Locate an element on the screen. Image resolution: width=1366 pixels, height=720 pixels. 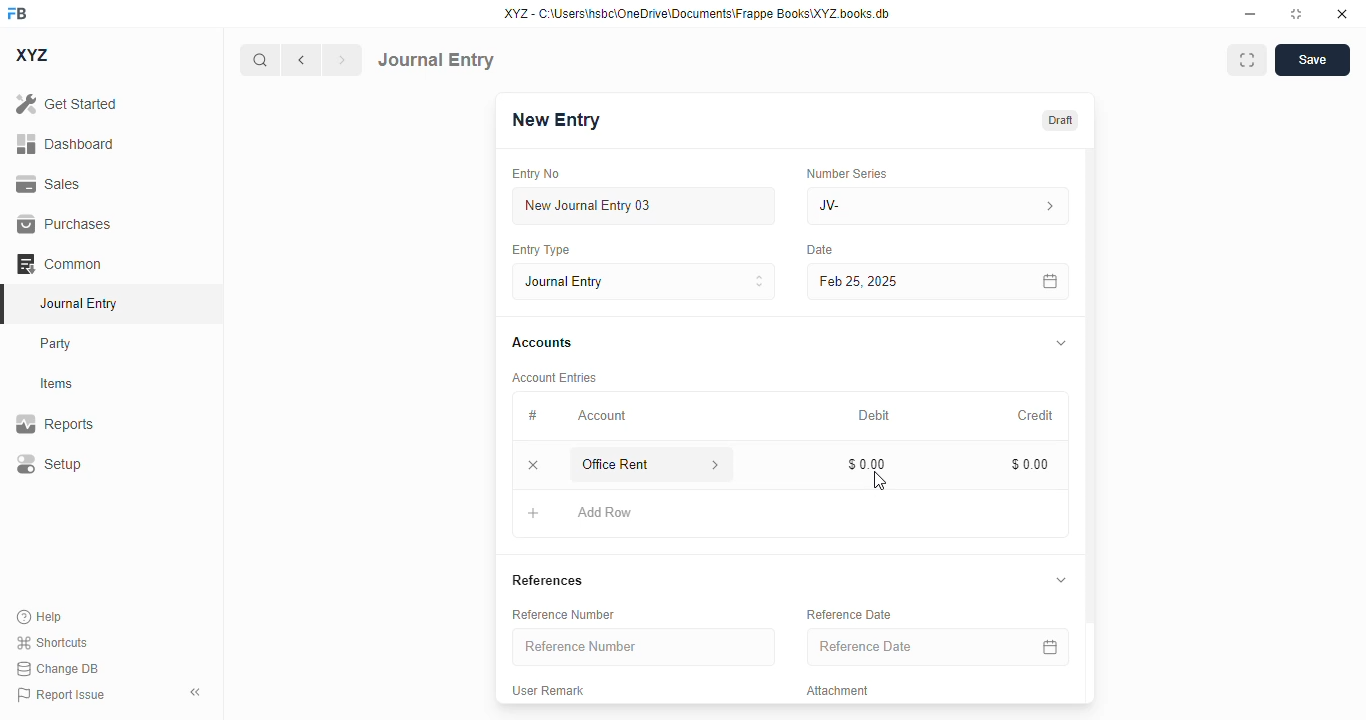
cursor is located at coordinates (879, 480).